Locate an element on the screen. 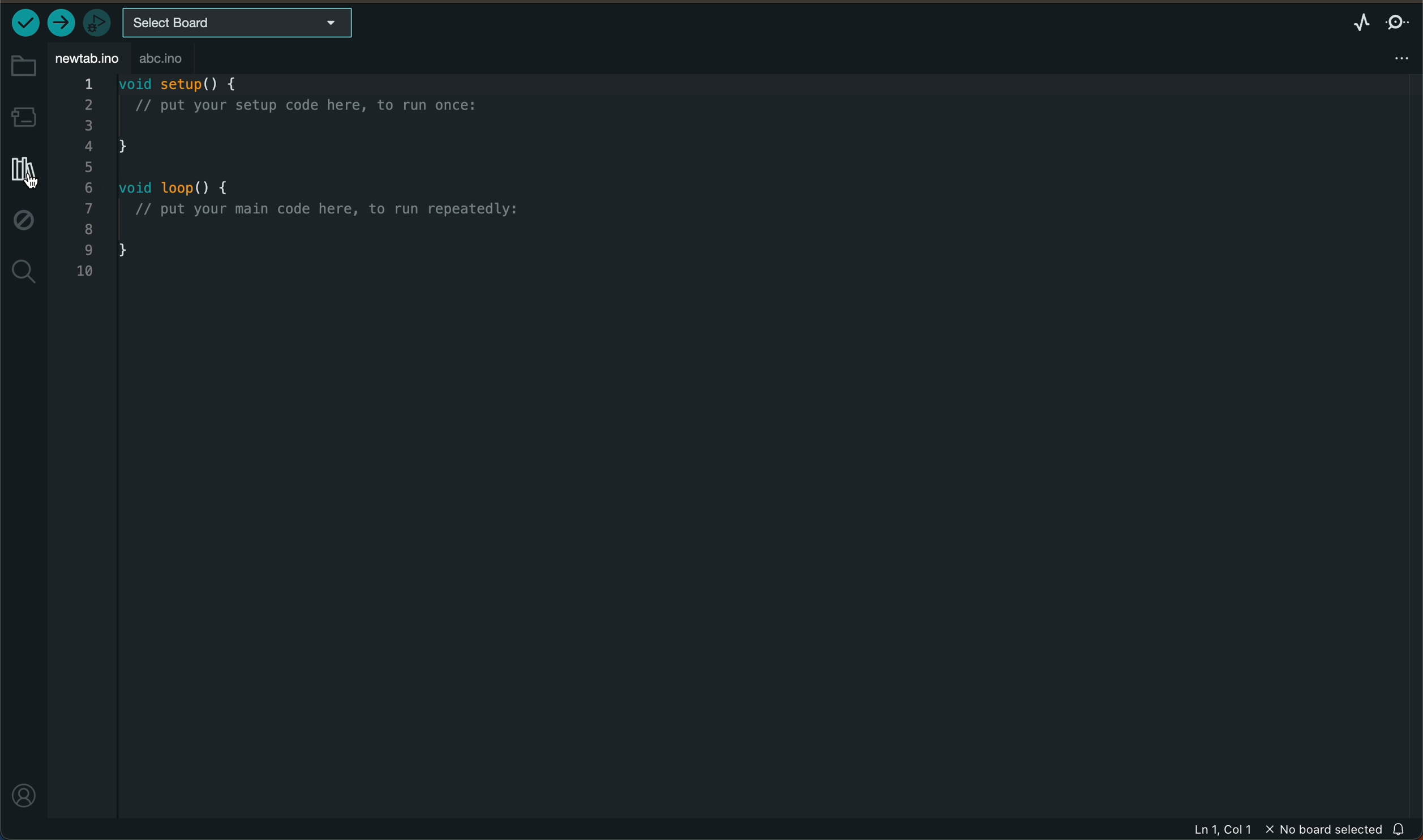 The image size is (1423, 840). file information is located at coordinates (1285, 829).